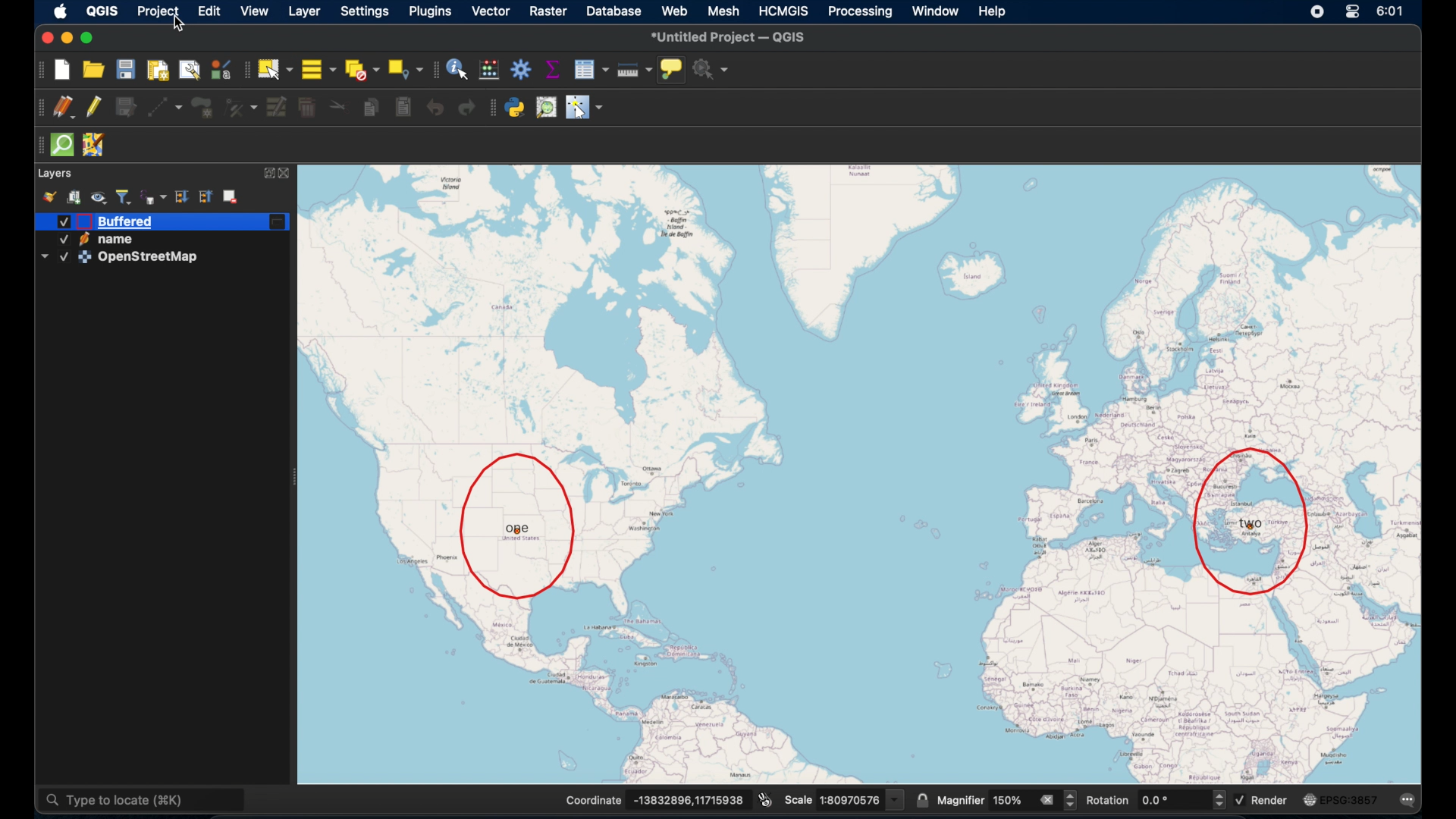 This screenshot has height=819, width=1456. I want to click on help, so click(994, 14).